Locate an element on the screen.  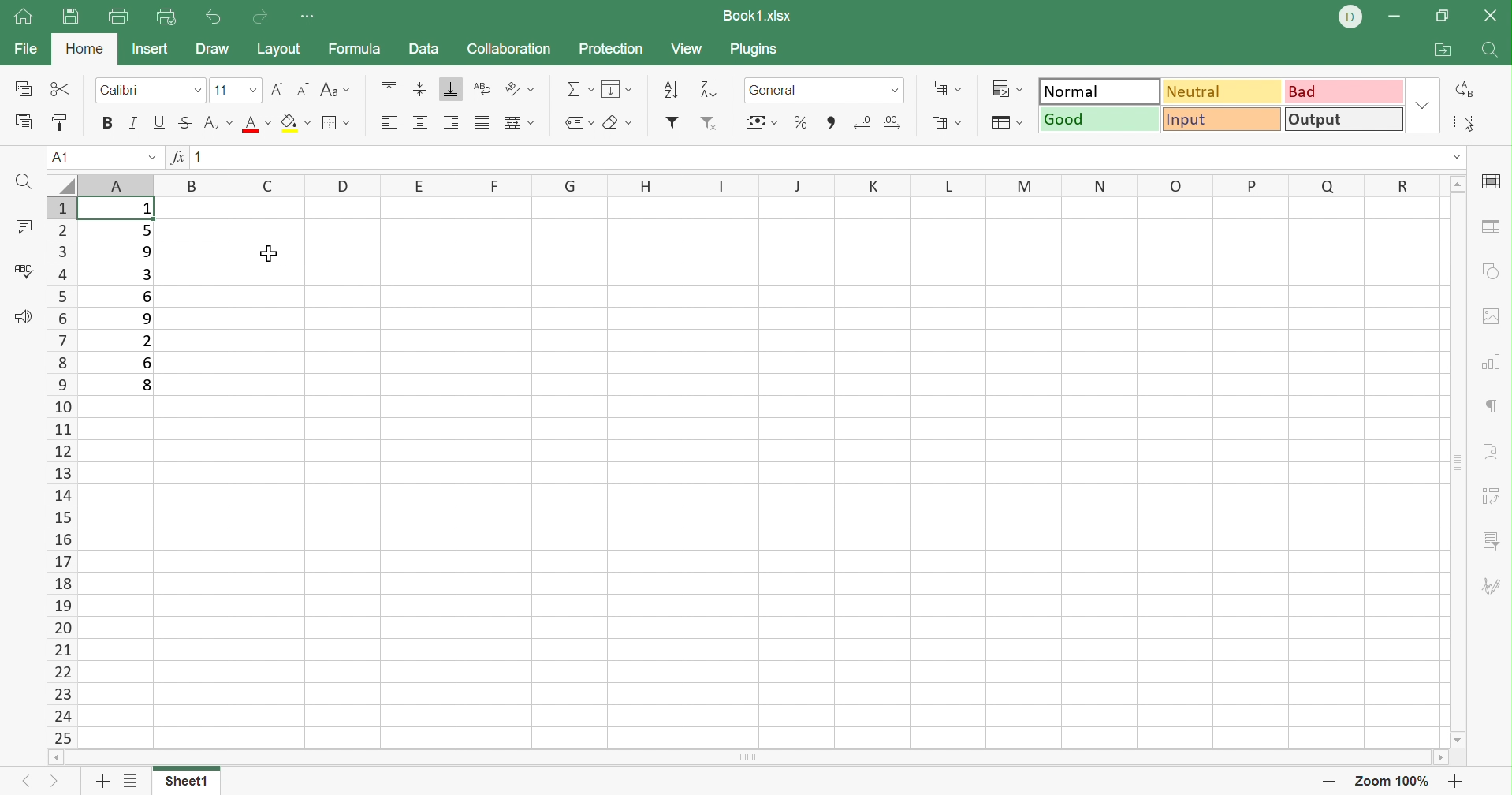
Add sheet is located at coordinates (101, 781).